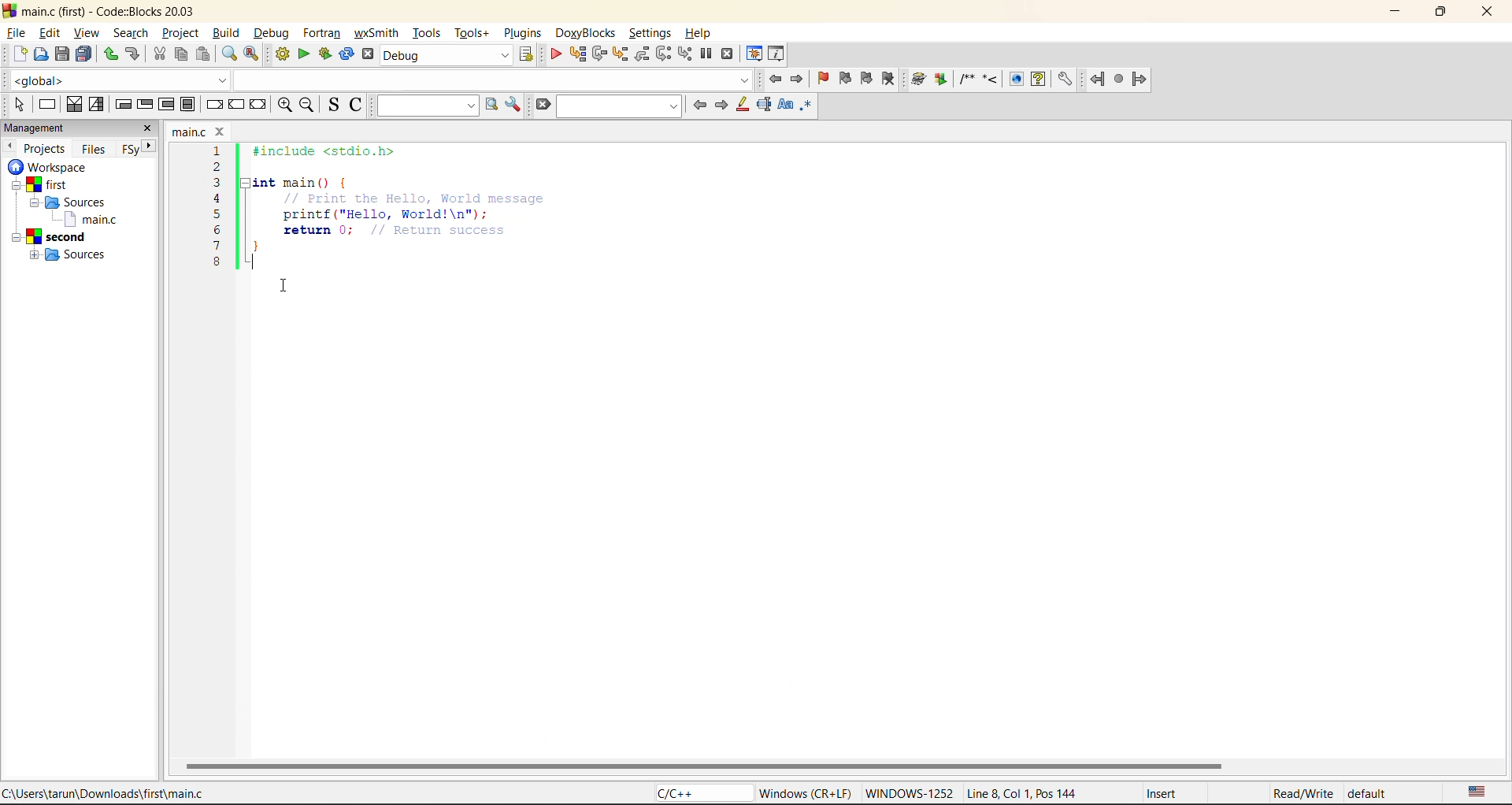 The width and height of the screenshot is (1512, 805). I want to click on edit, so click(50, 32).